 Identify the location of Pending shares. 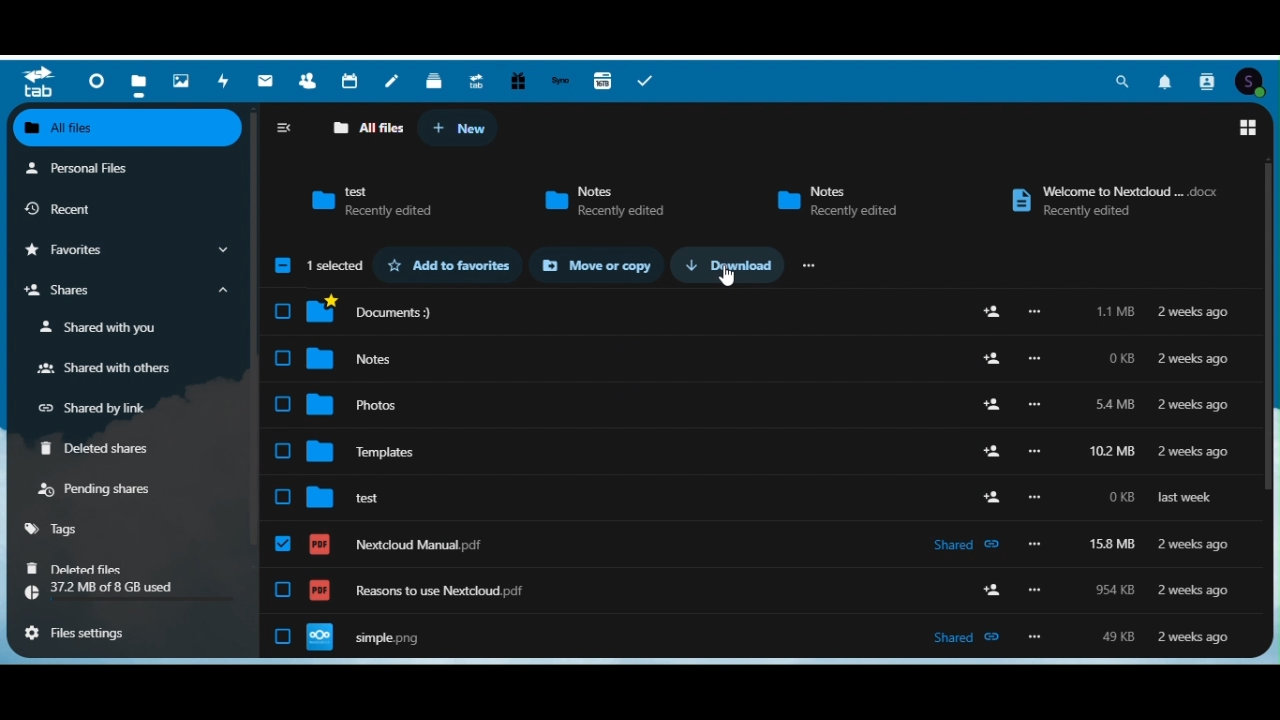
(102, 492).